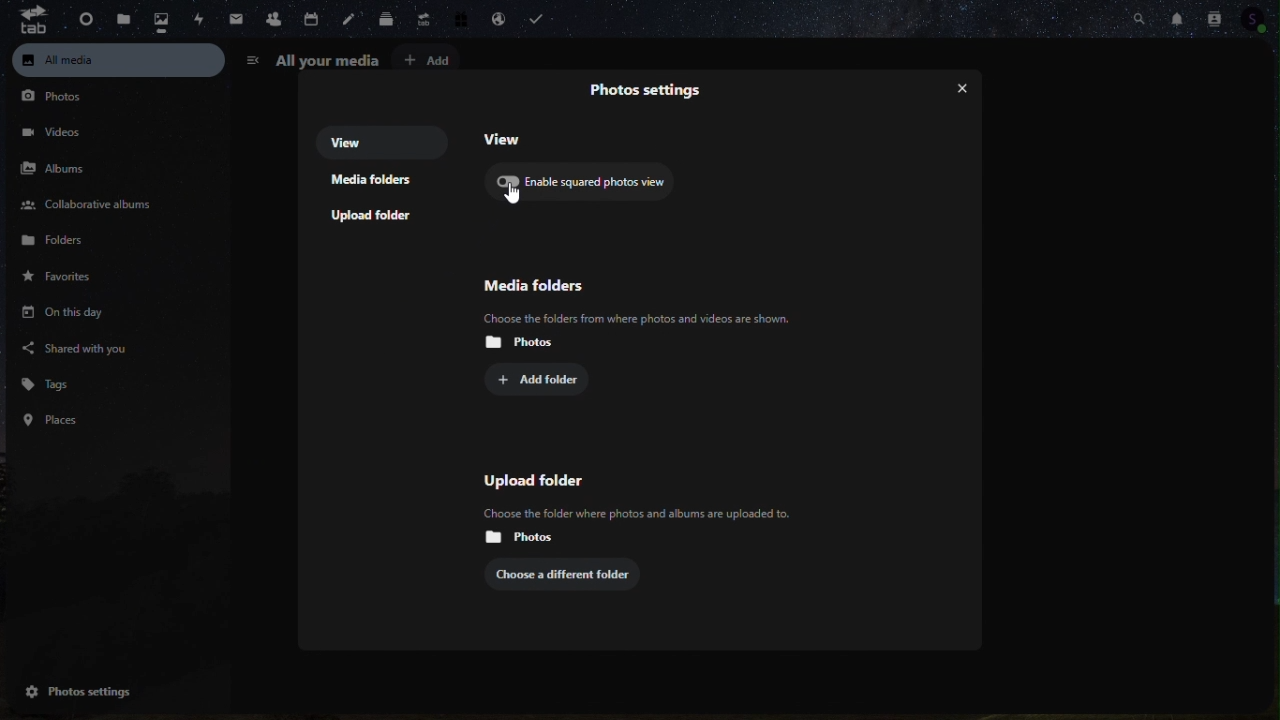 The width and height of the screenshot is (1280, 720). What do you see at coordinates (26, 22) in the screenshot?
I see `tab` at bounding box center [26, 22].